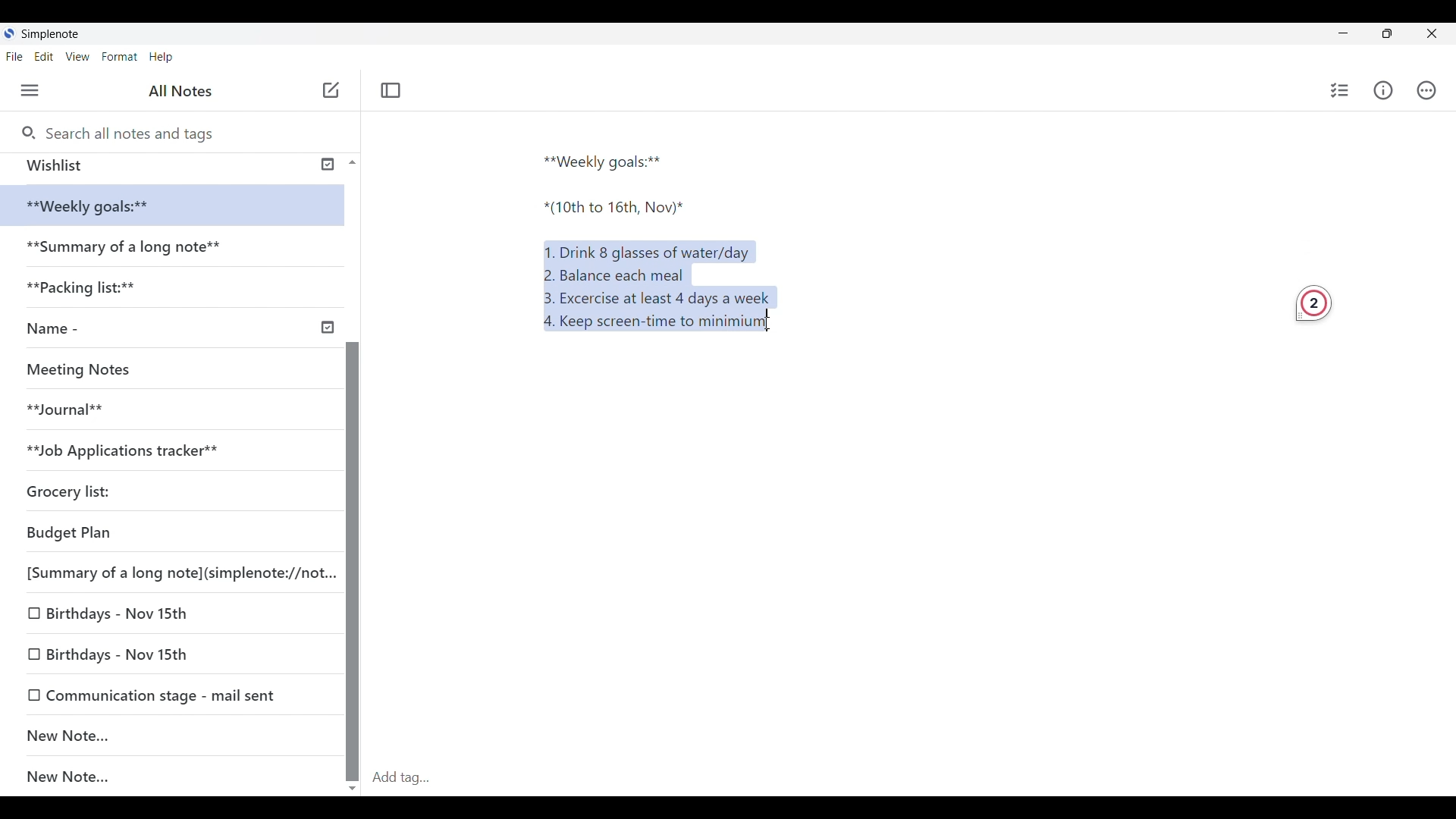 The image size is (1456, 819). I want to click on Text cursor, so click(783, 325).